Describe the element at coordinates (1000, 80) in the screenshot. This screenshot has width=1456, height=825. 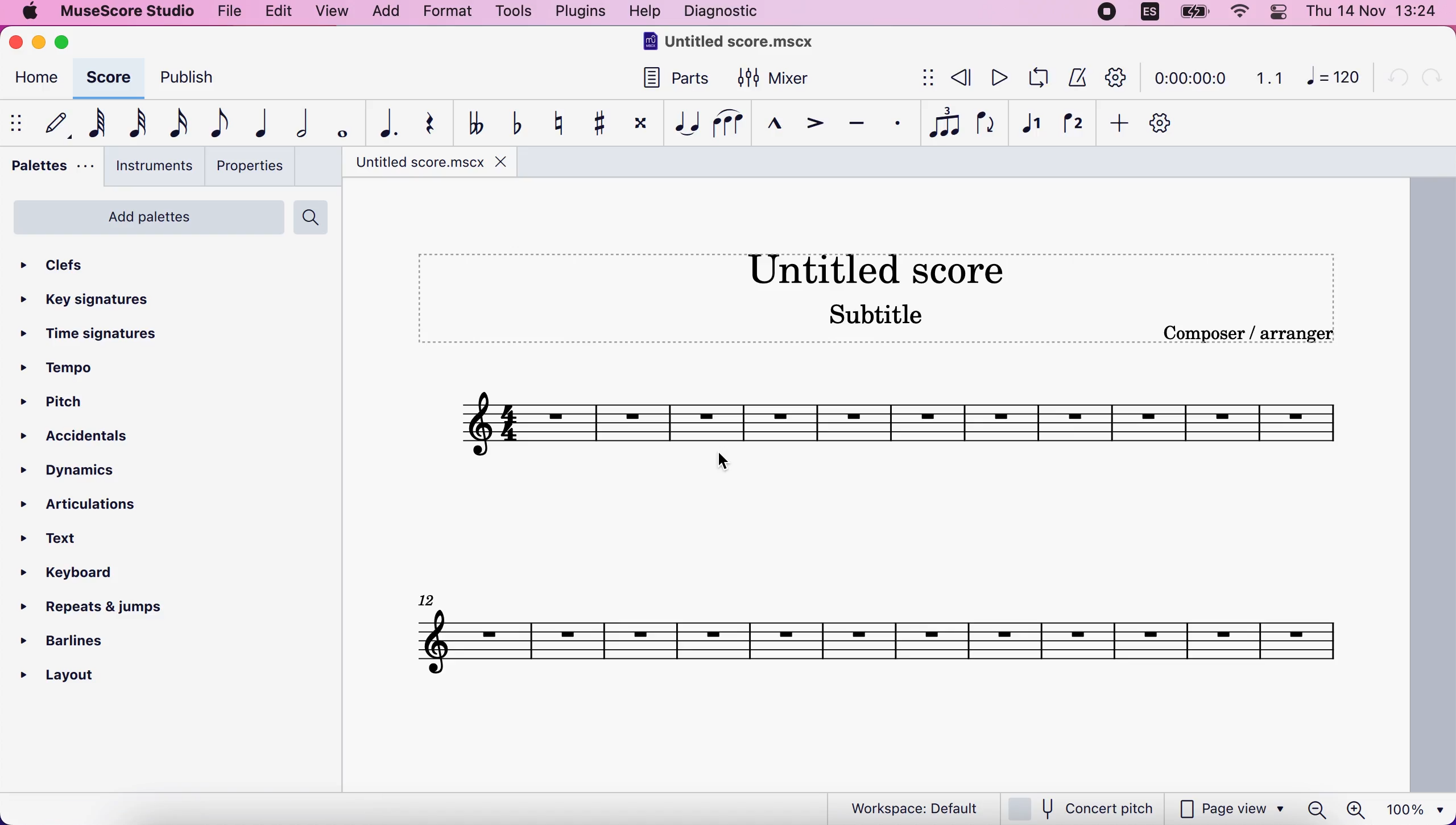
I see `play` at that location.